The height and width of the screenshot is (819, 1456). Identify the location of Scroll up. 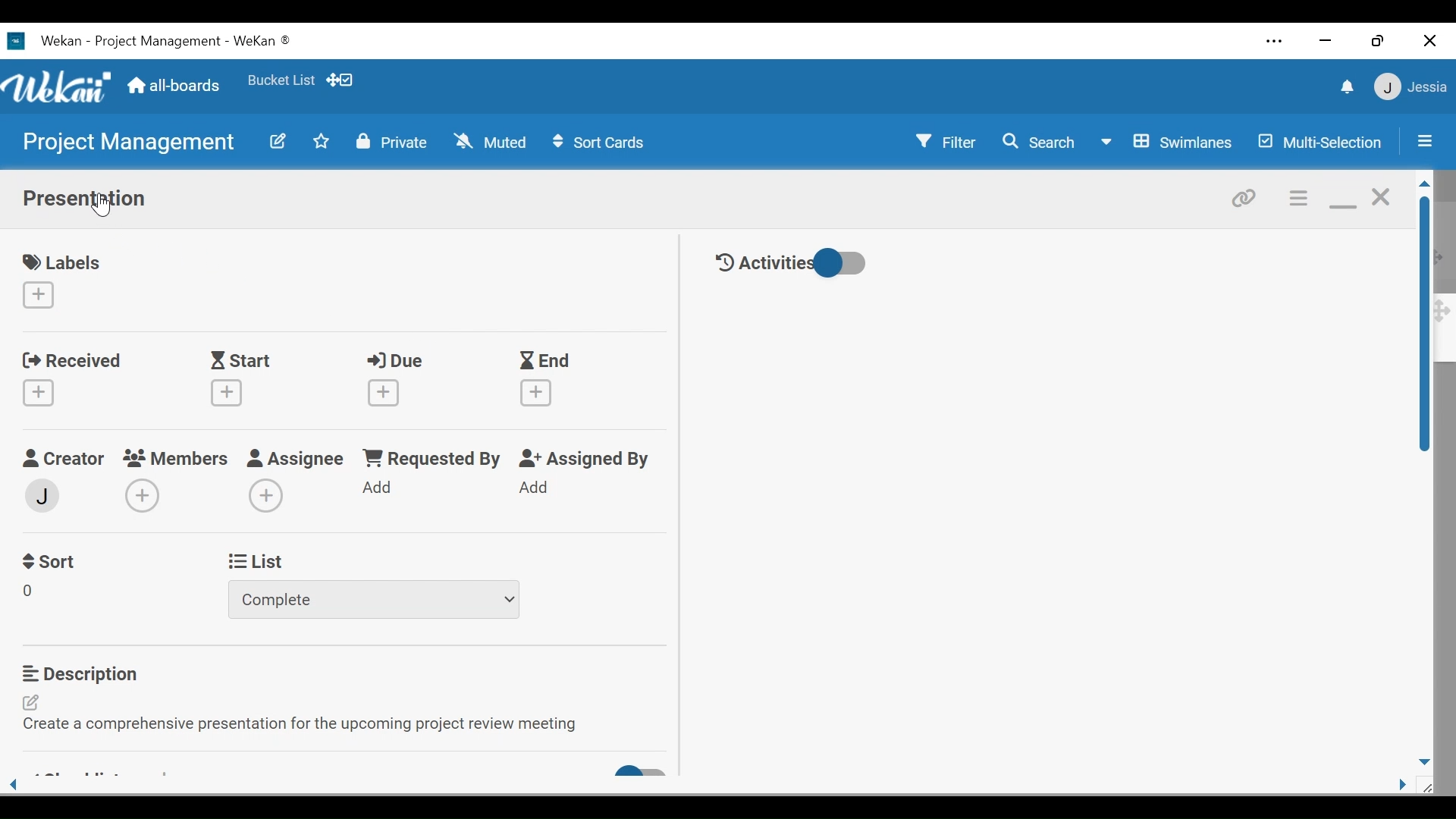
(1423, 184).